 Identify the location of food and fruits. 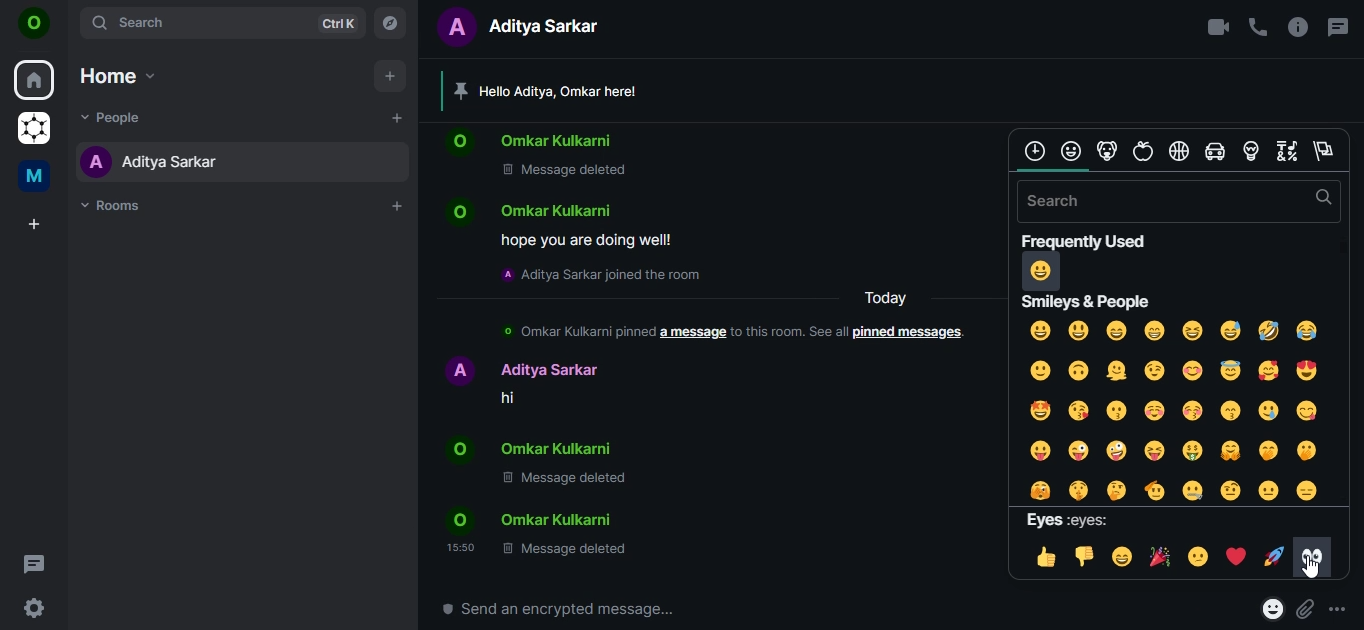
(1142, 151).